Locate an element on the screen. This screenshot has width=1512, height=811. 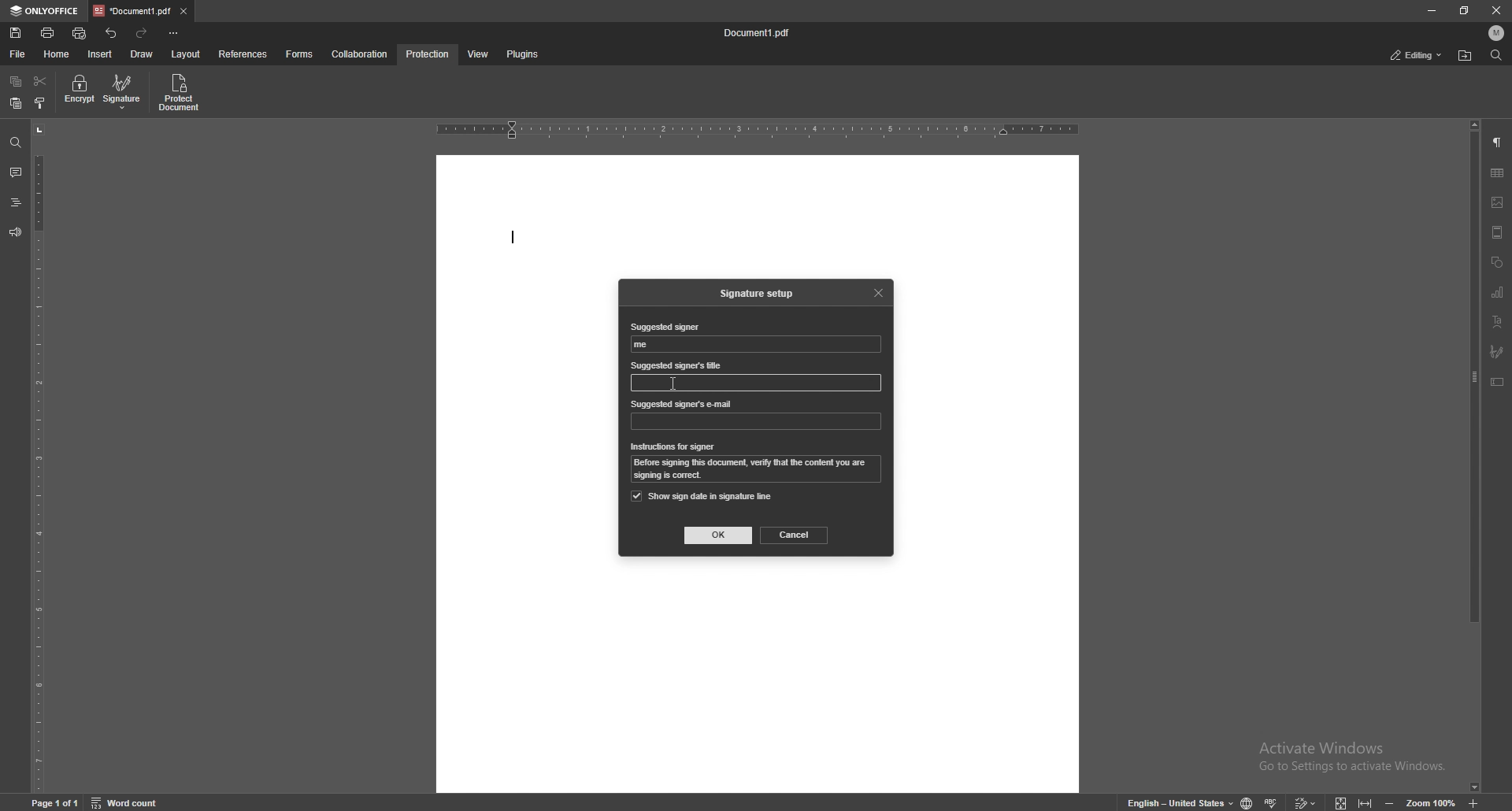
Activate windows is located at coordinates (1340, 751).